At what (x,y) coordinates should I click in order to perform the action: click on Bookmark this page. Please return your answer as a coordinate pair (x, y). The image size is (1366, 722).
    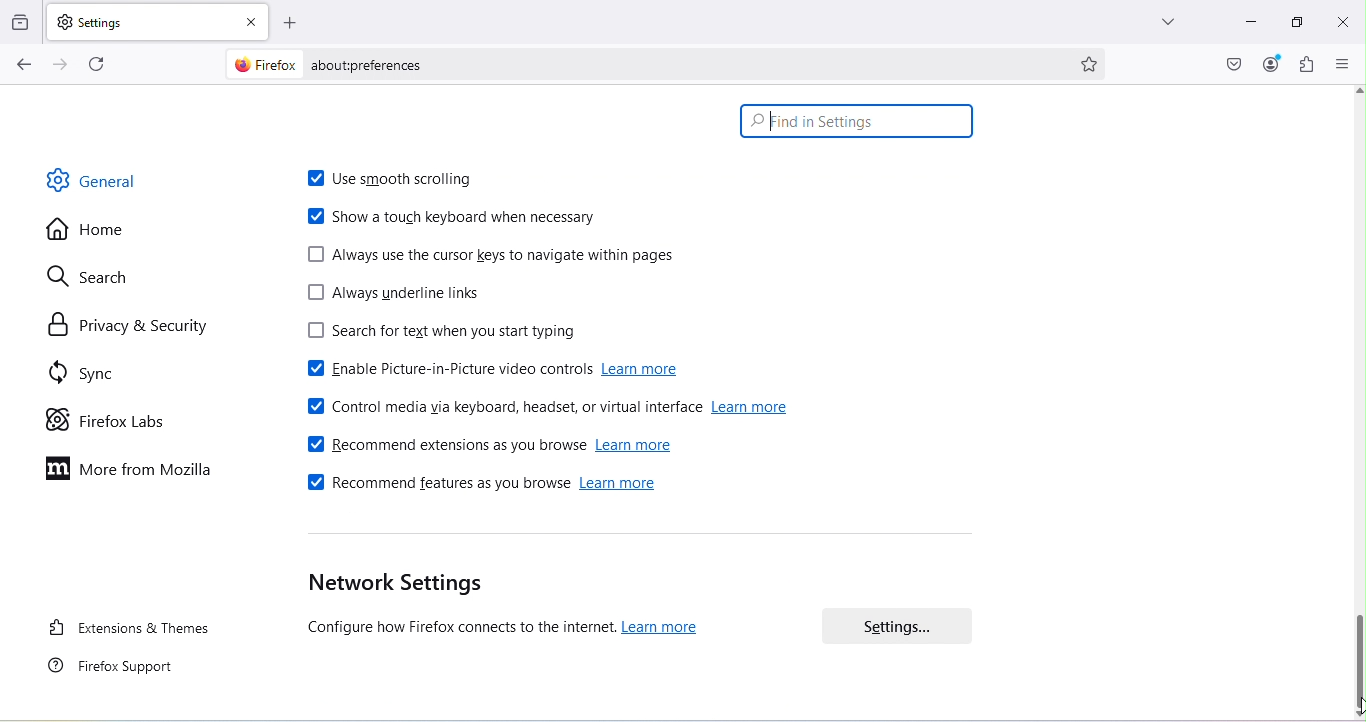
    Looking at the image, I should click on (1101, 66).